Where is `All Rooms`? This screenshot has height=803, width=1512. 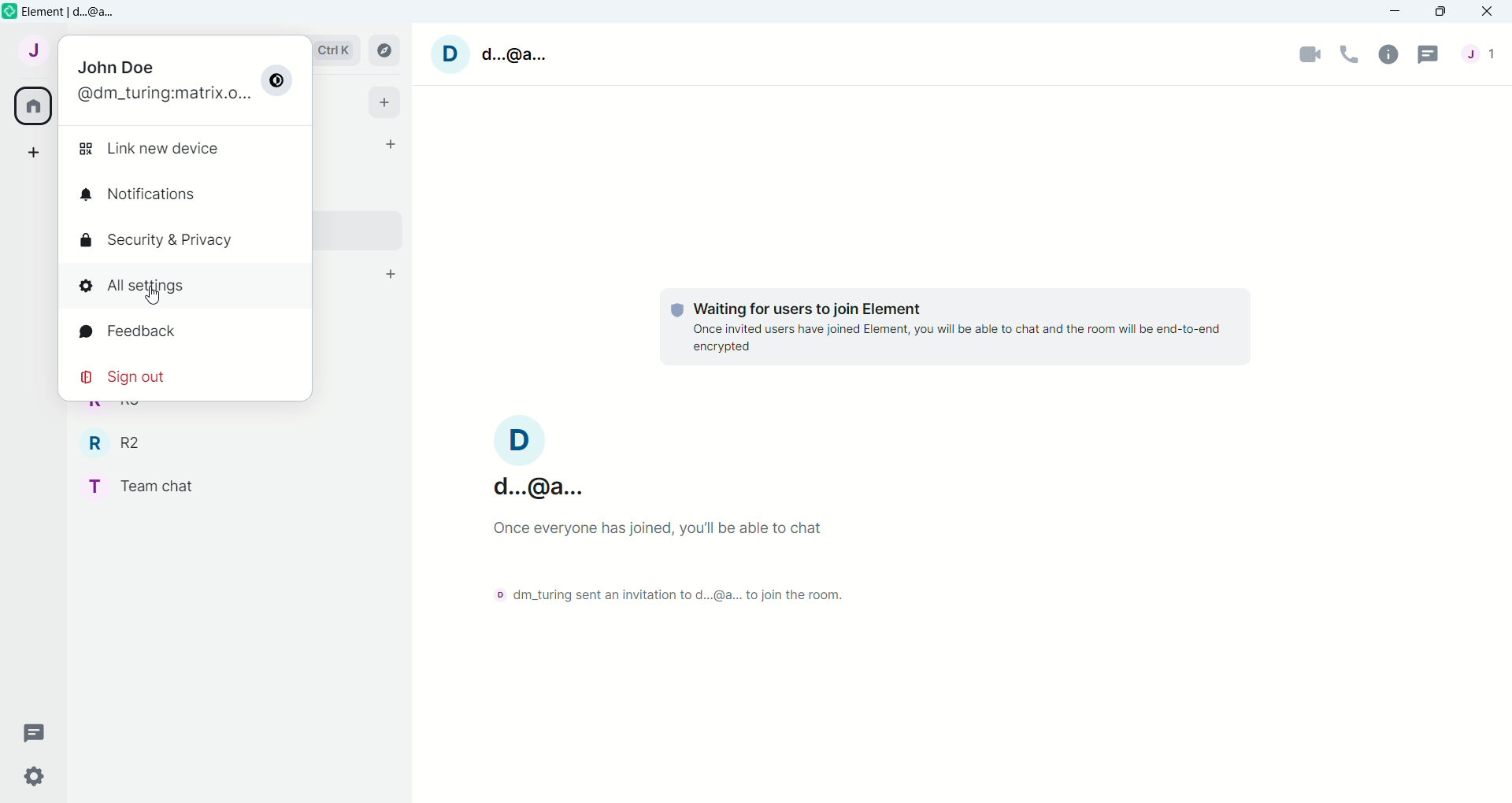 All Rooms is located at coordinates (31, 105).